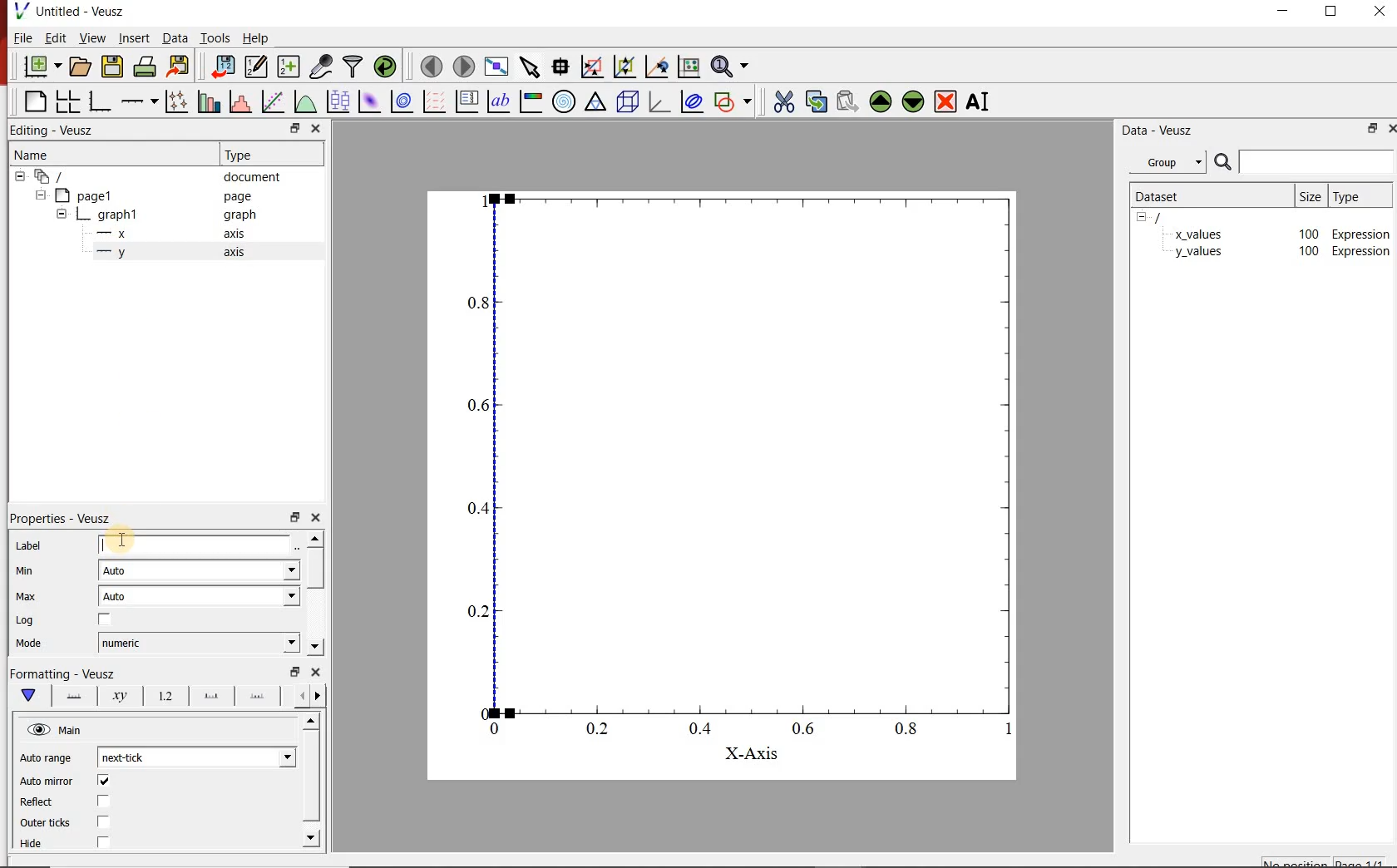 This screenshot has width=1397, height=868. What do you see at coordinates (431, 67) in the screenshot?
I see `move to previous page` at bounding box center [431, 67].